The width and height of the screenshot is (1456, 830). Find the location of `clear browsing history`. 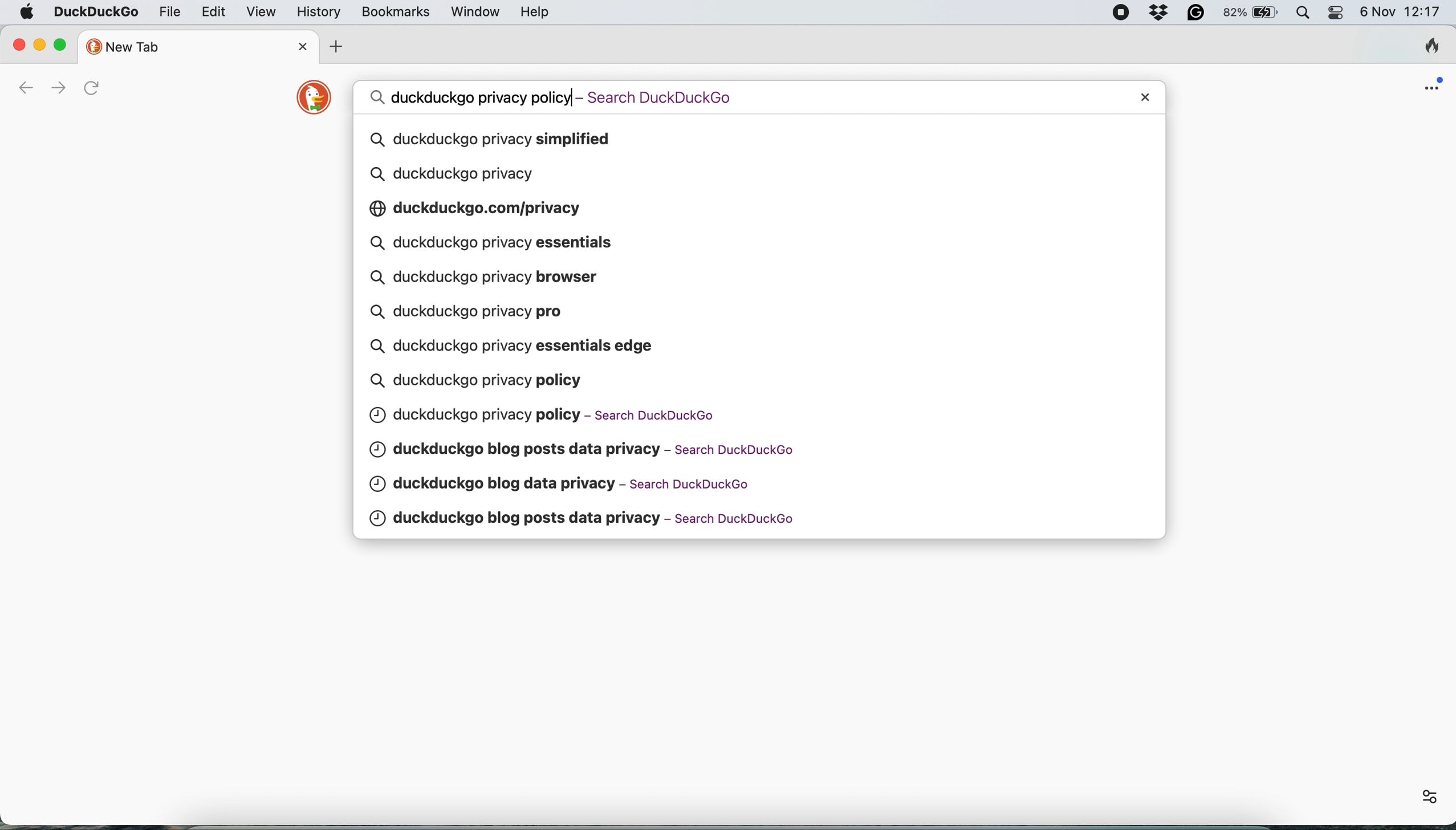

clear browsing history is located at coordinates (1424, 48).